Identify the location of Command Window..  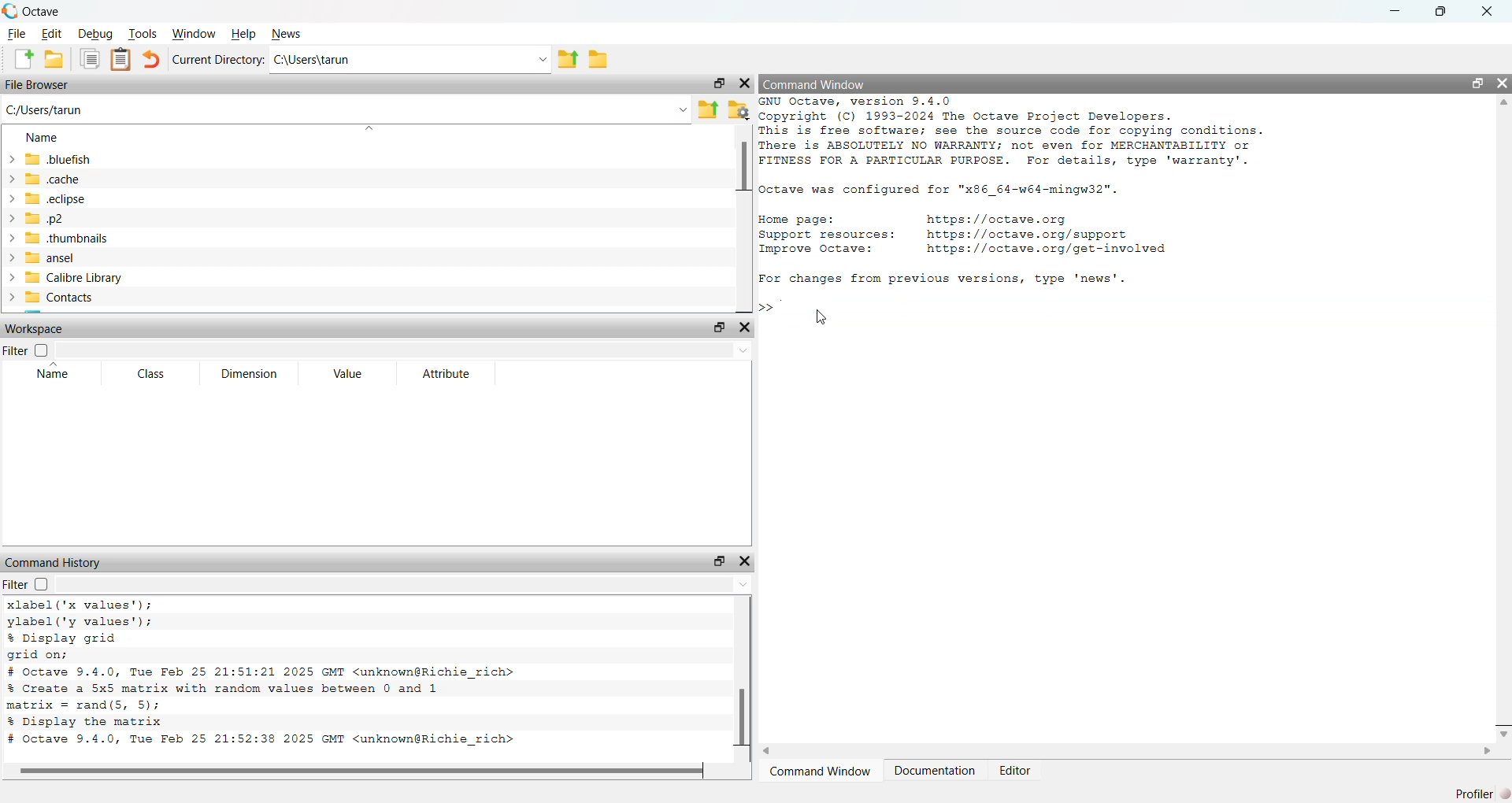
(813, 81).